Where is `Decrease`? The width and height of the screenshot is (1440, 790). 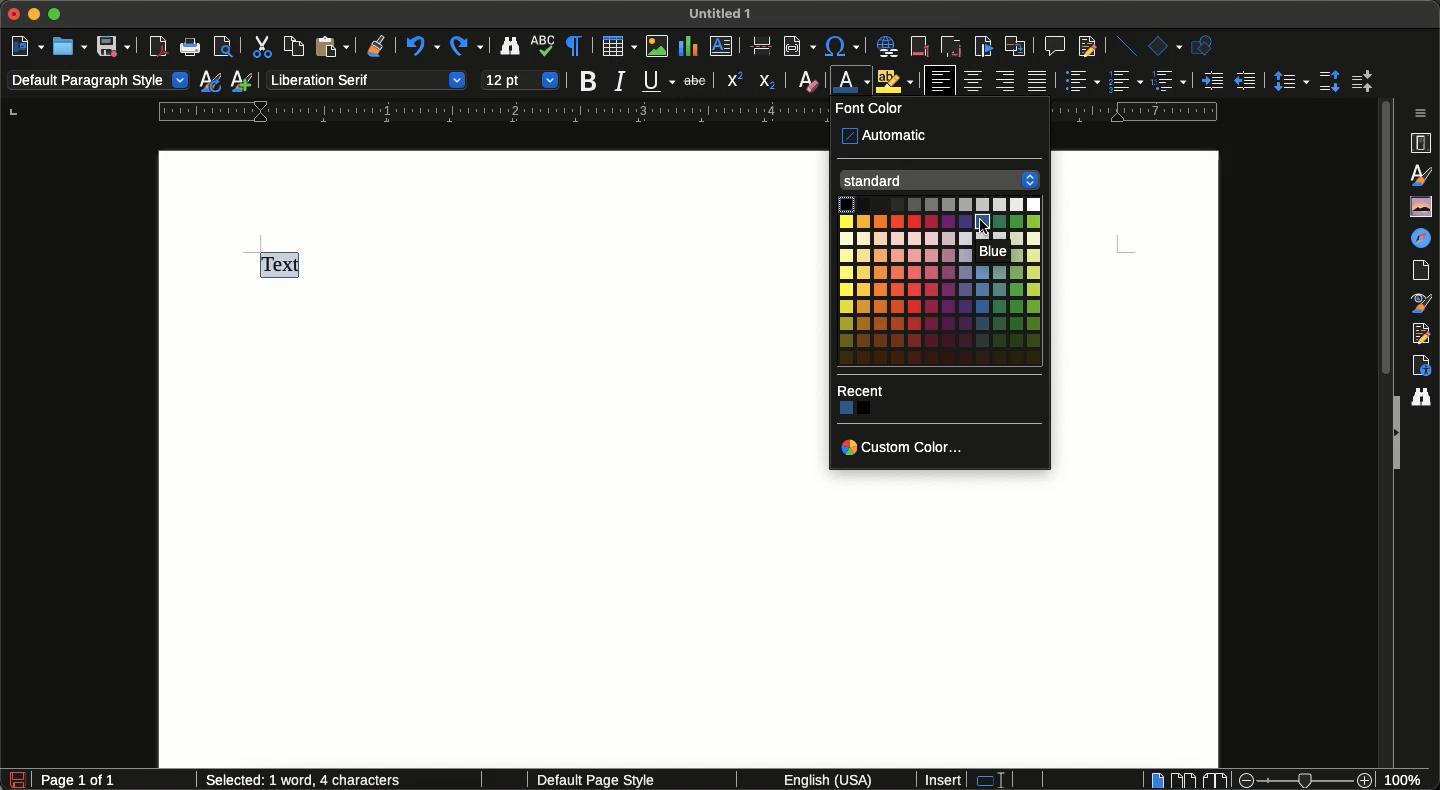
Decrease is located at coordinates (1244, 80).